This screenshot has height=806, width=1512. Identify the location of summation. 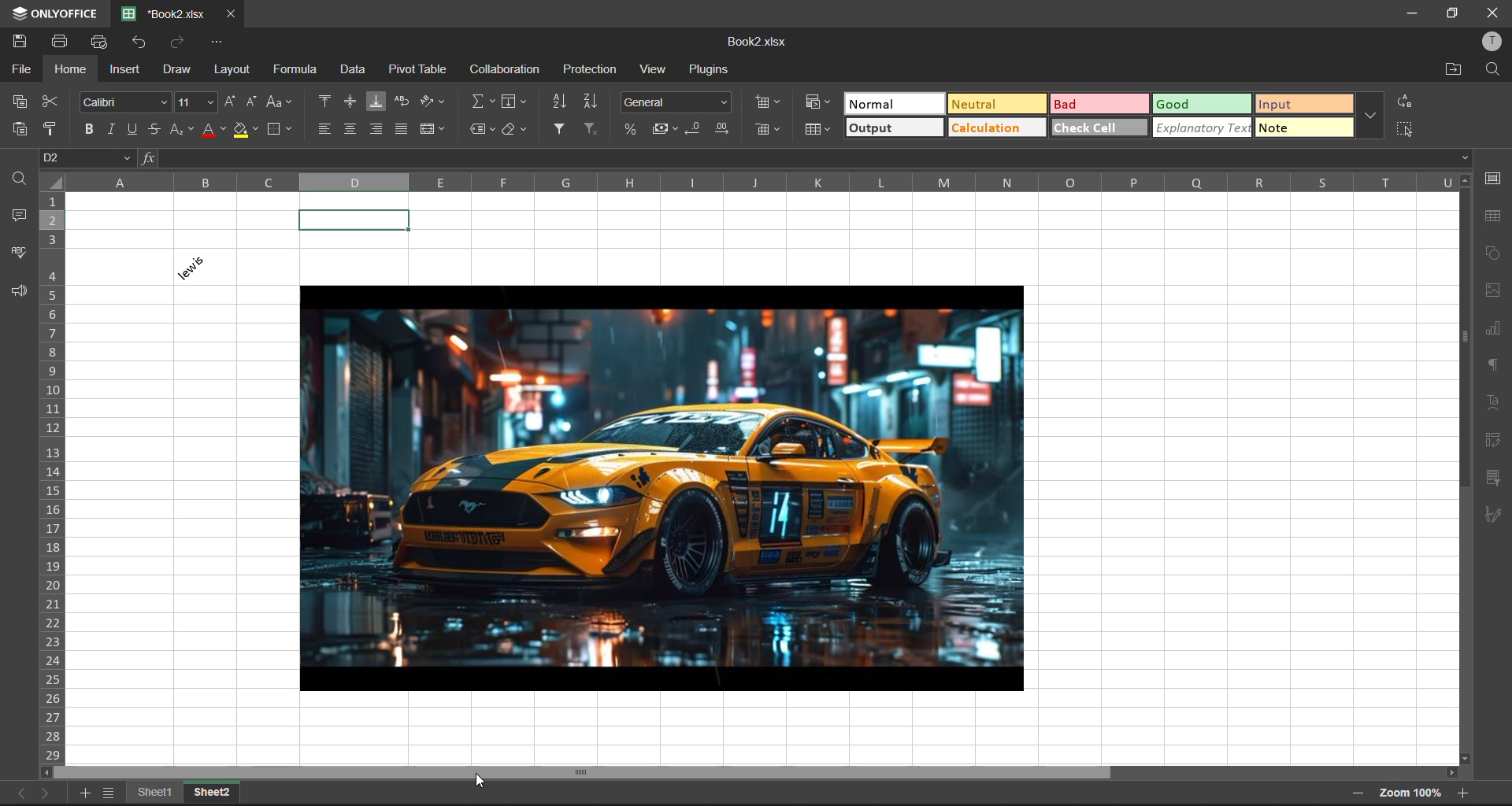
(481, 102).